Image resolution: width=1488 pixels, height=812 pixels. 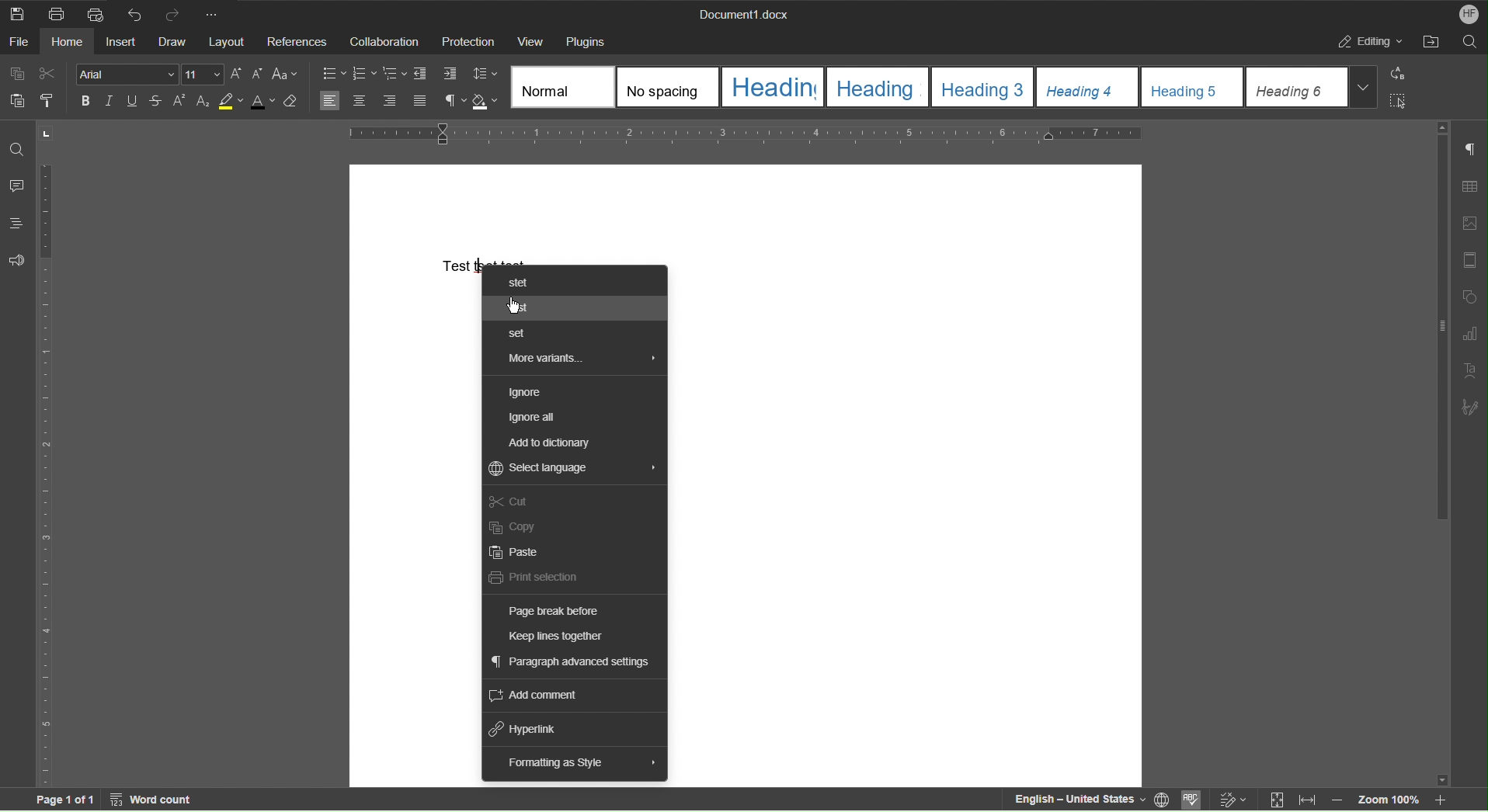 What do you see at coordinates (486, 75) in the screenshot?
I see `Line Spacing` at bounding box center [486, 75].